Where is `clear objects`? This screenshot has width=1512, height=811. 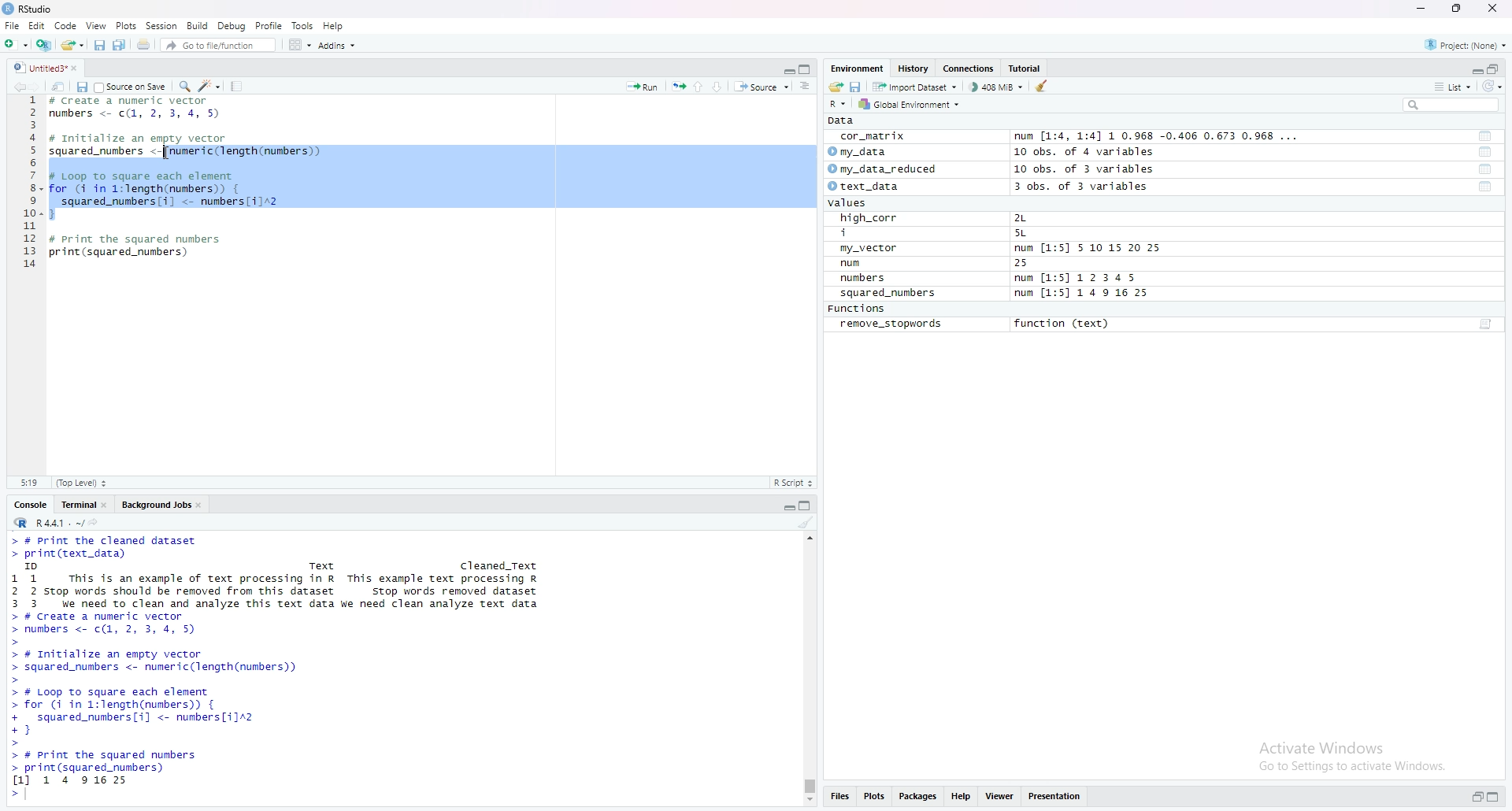 clear objects is located at coordinates (1043, 86).